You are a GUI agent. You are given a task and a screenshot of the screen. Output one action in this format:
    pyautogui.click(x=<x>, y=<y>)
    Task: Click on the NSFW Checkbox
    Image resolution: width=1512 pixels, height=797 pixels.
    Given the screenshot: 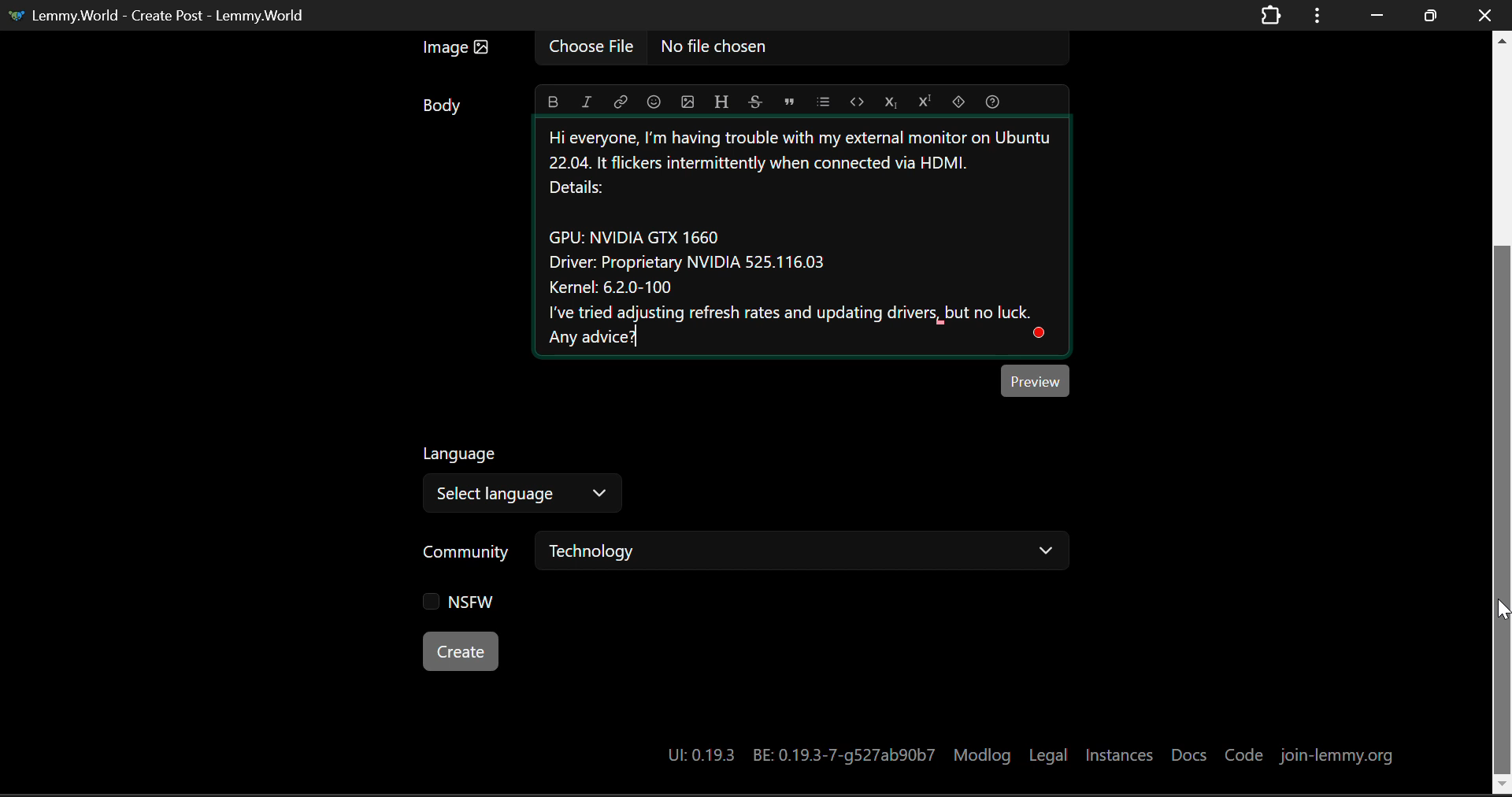 What is the action you would take?
    pyautogui.click(x=461, y=606)
    